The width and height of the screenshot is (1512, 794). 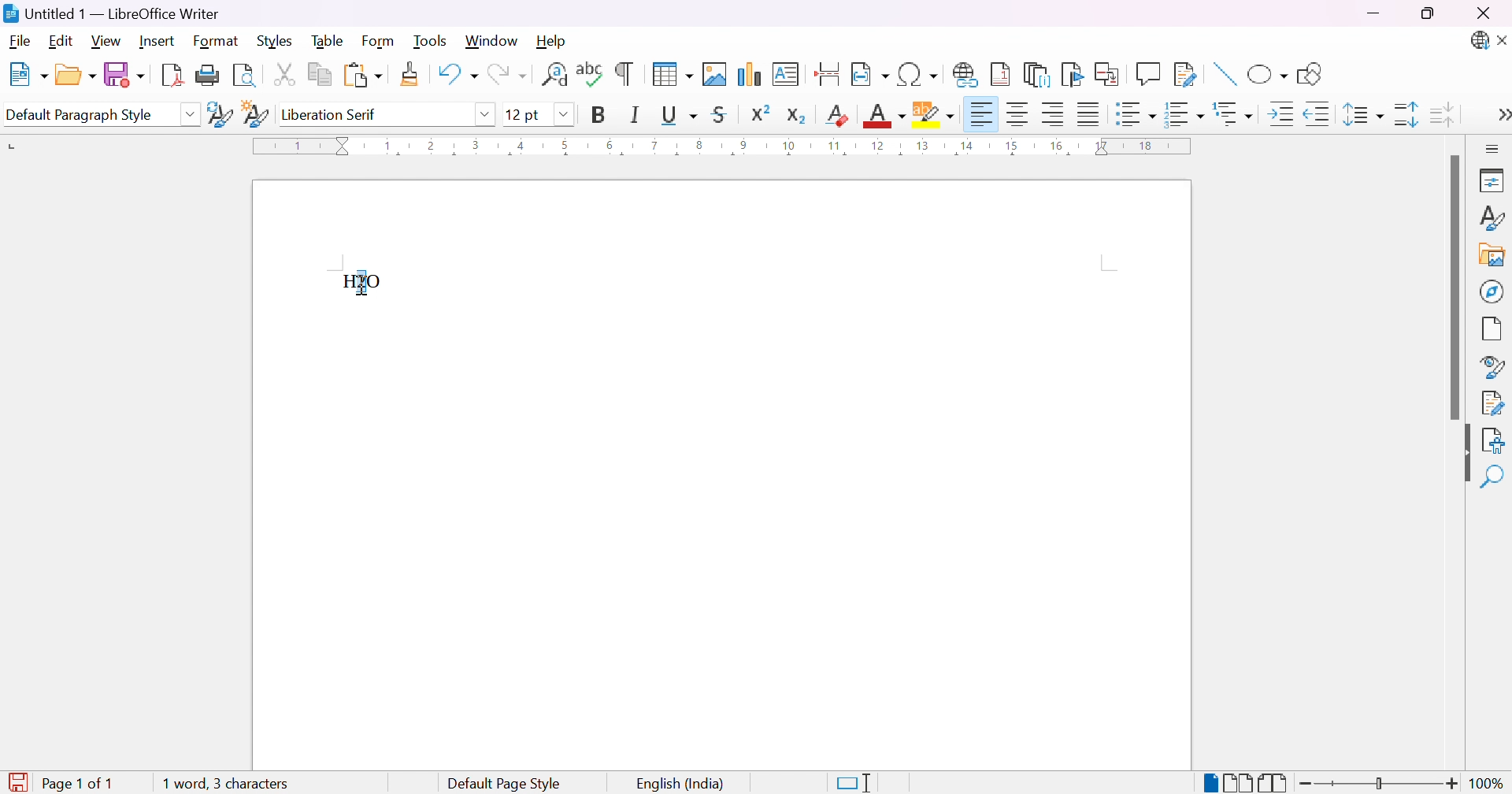 What do you see at coordinates (1186, 113) in the screenshot?
I see `Toggle ordered list` at bounding box center [1186, 113].